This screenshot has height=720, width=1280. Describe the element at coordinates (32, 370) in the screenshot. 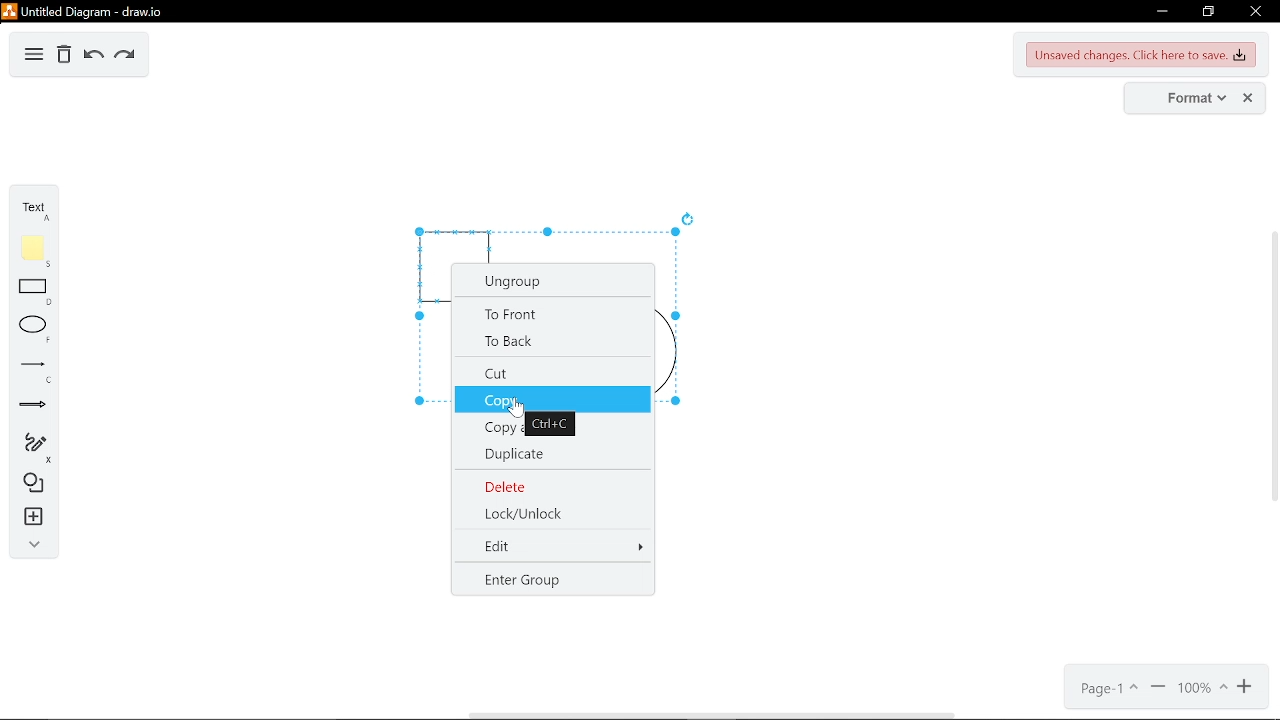

I see `line` at that location.